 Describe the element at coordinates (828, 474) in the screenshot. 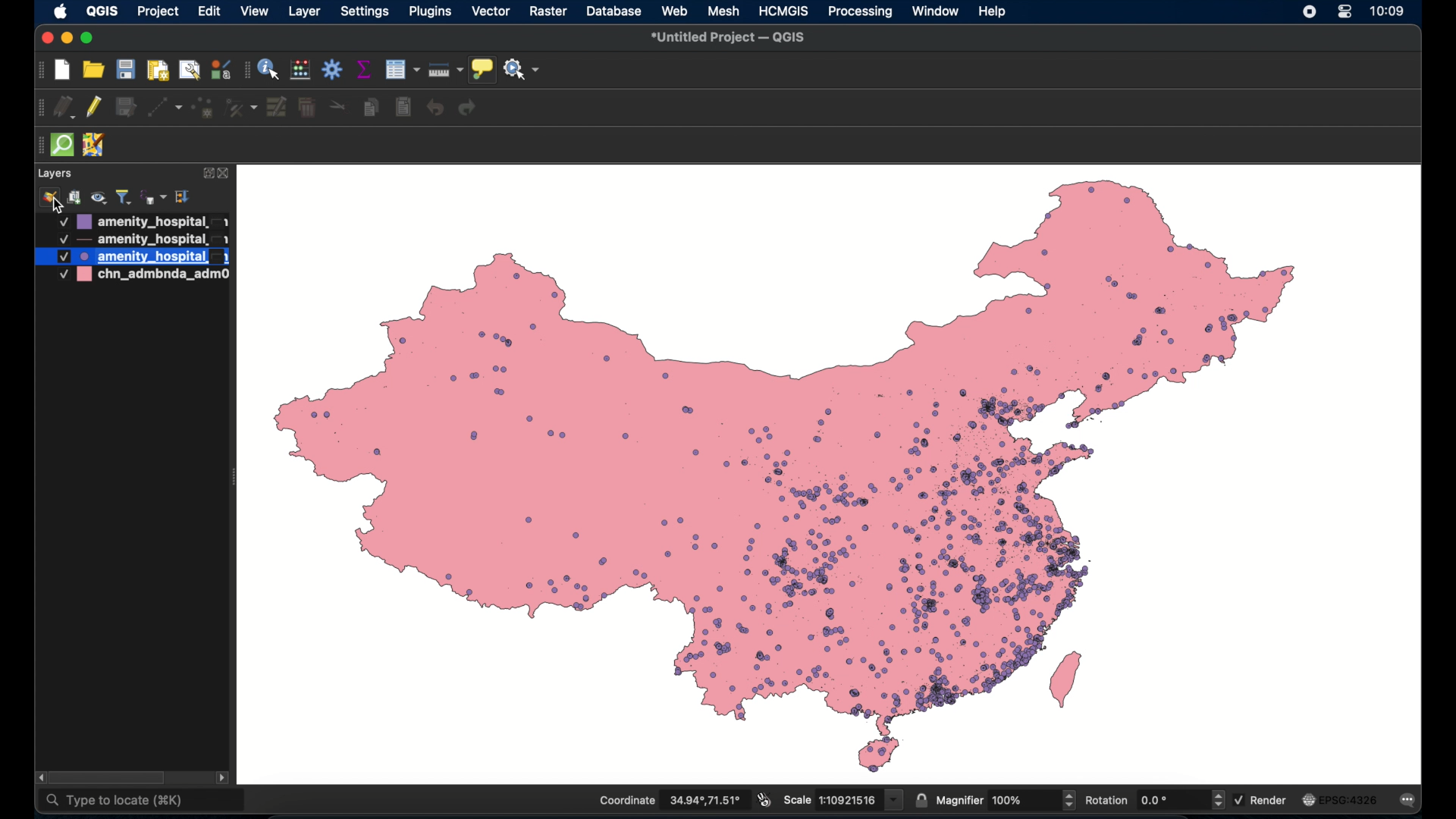

I see `healthcare facilities in china` at that location.